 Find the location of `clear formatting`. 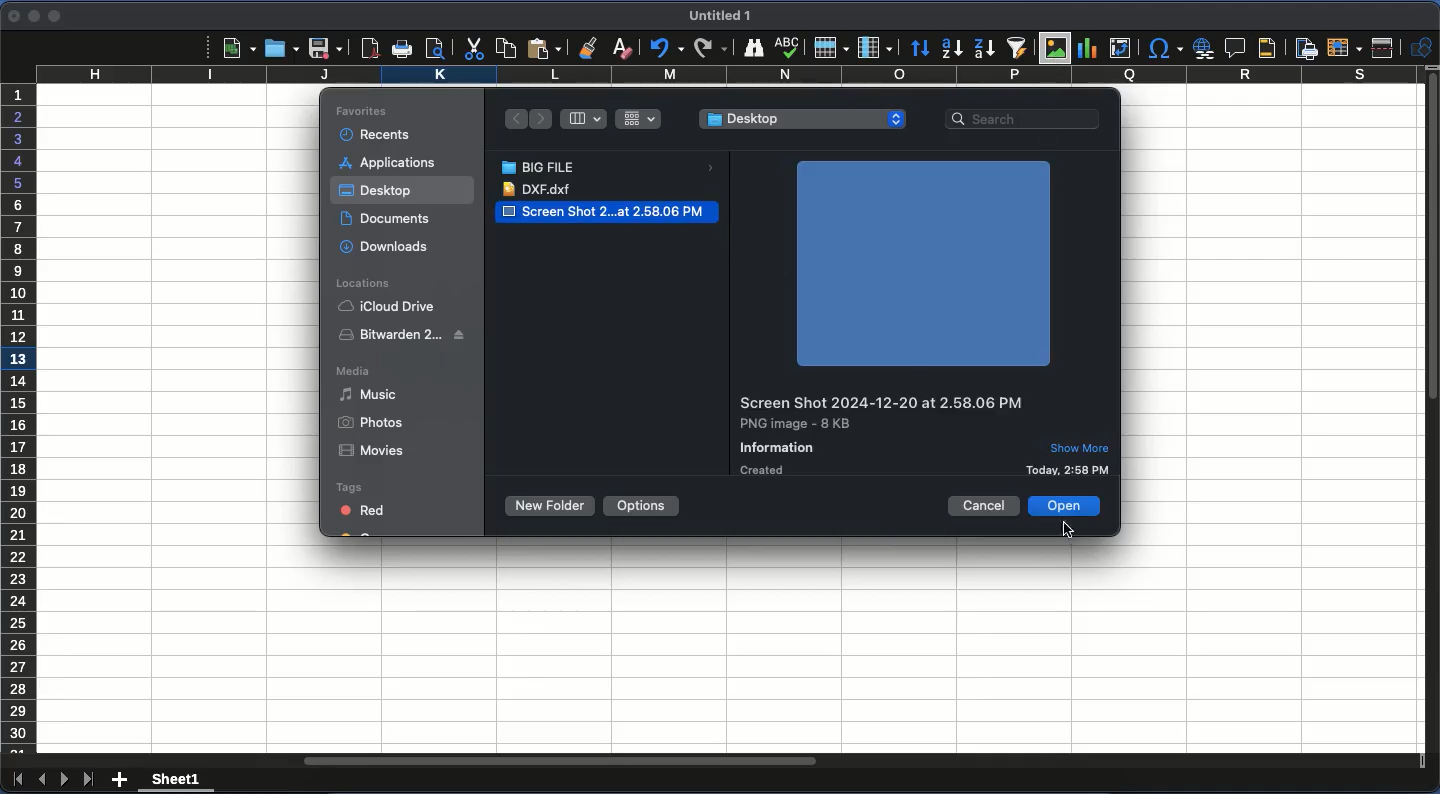

clear formatting is located at coordinates (619, 47).